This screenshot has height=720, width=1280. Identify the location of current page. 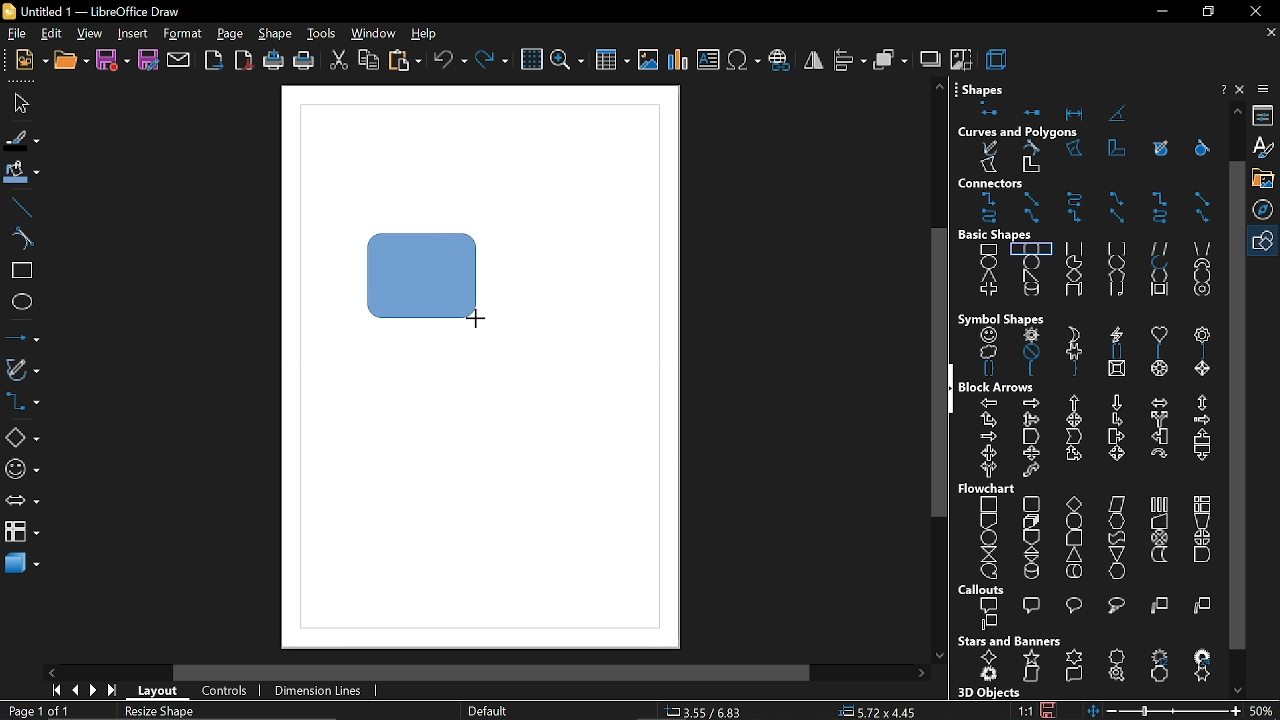
(38, 711).